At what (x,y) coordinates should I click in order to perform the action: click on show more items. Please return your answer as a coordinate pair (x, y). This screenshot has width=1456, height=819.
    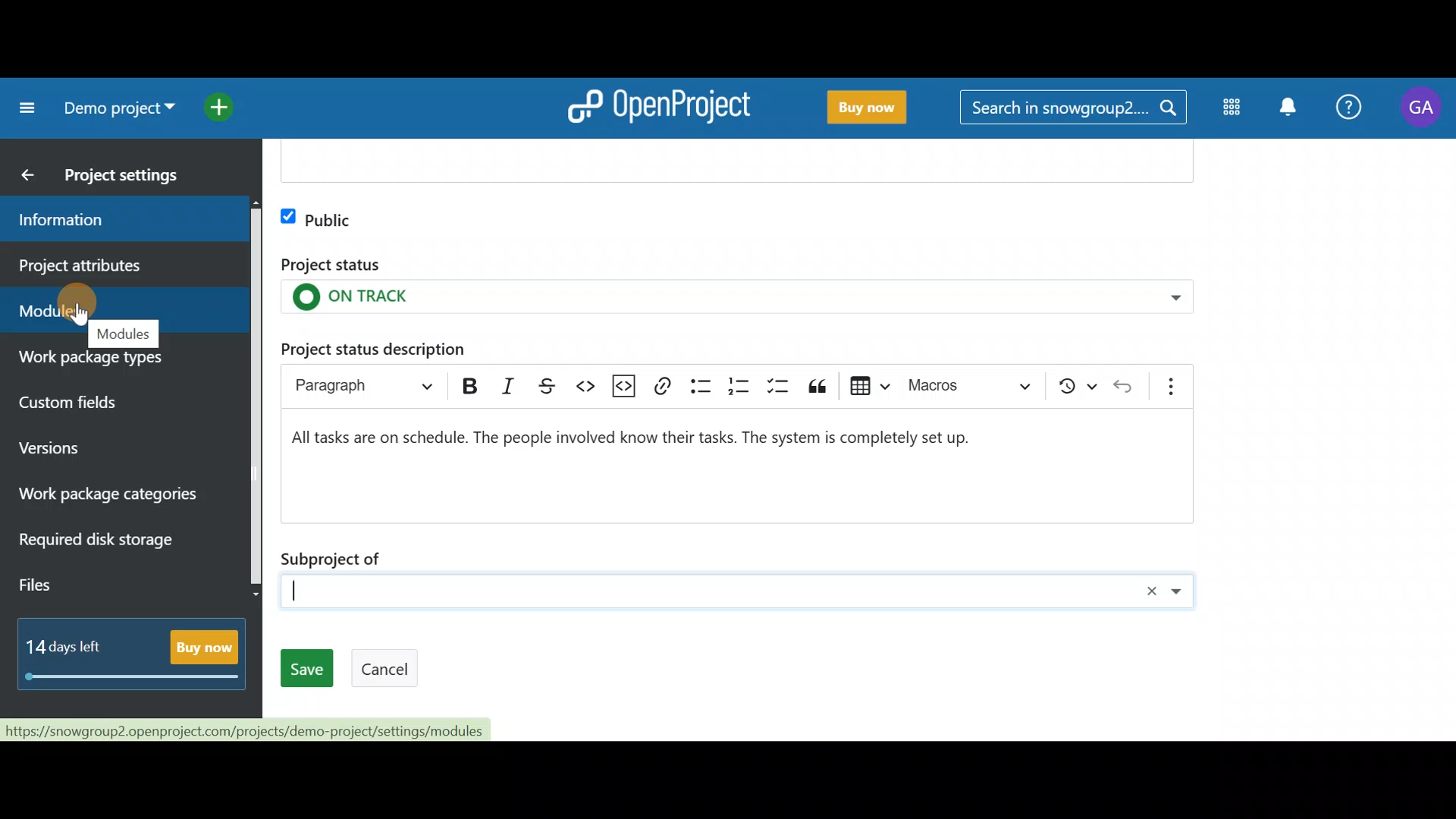
    Looking at the image, I should click on (1178, 381).